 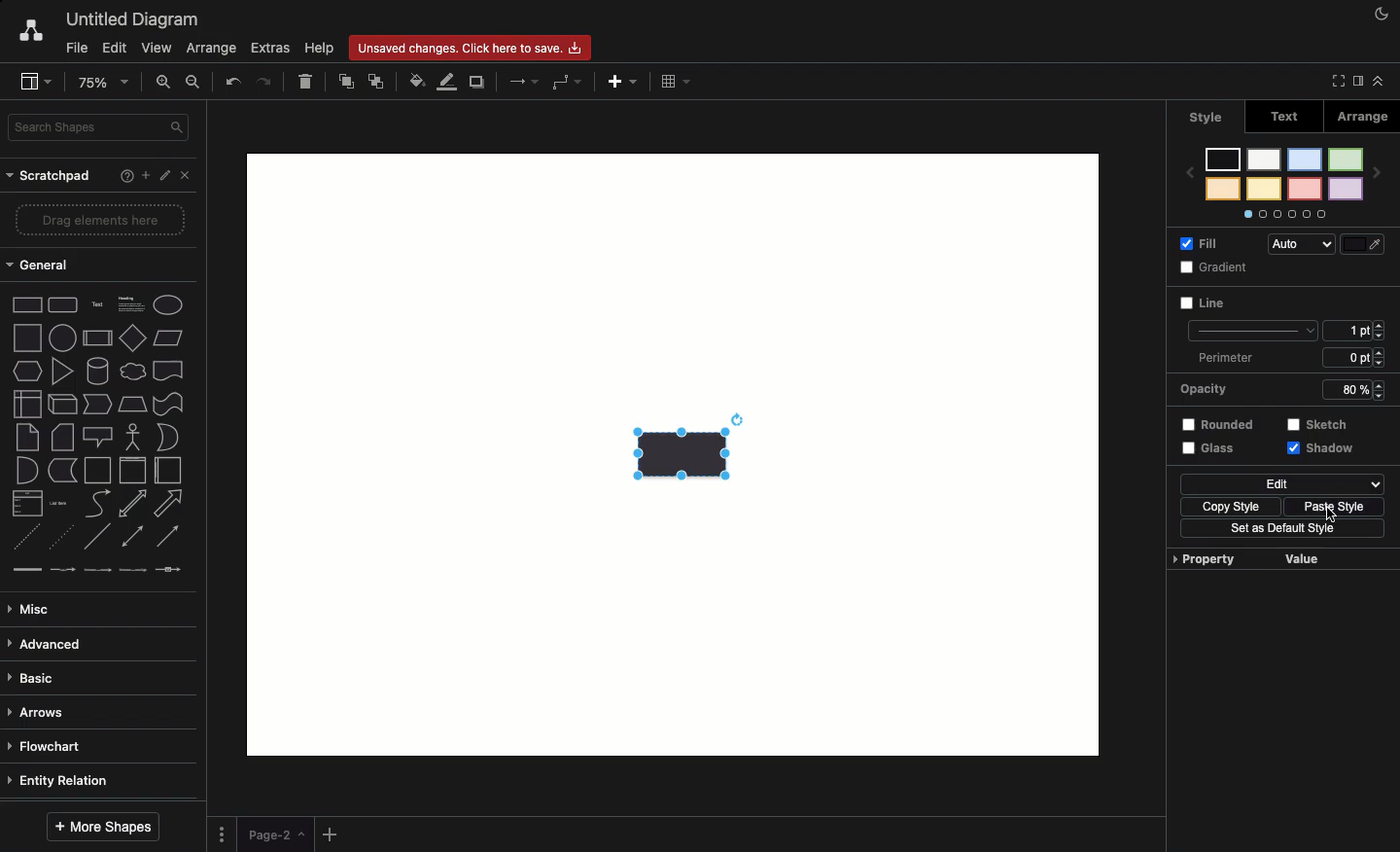 What do you see at coordinates (133, 505) in the screenshot?
I see `bidirectional arrow` at bounding box center [133, 505].